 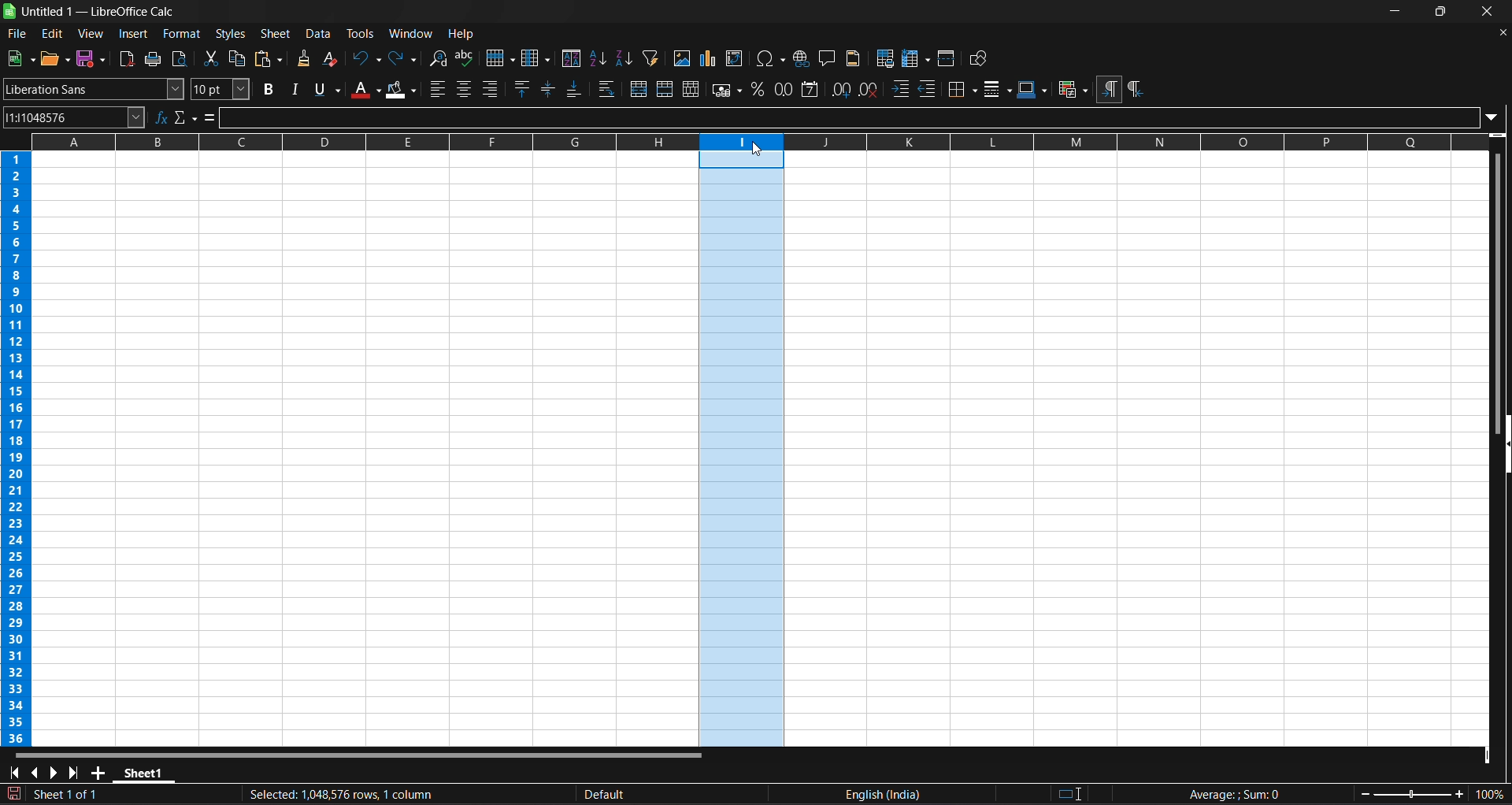 What do you see at coordinates (295, 90) in the screenshot?
I see `italic` at bounding box center [295, 90].